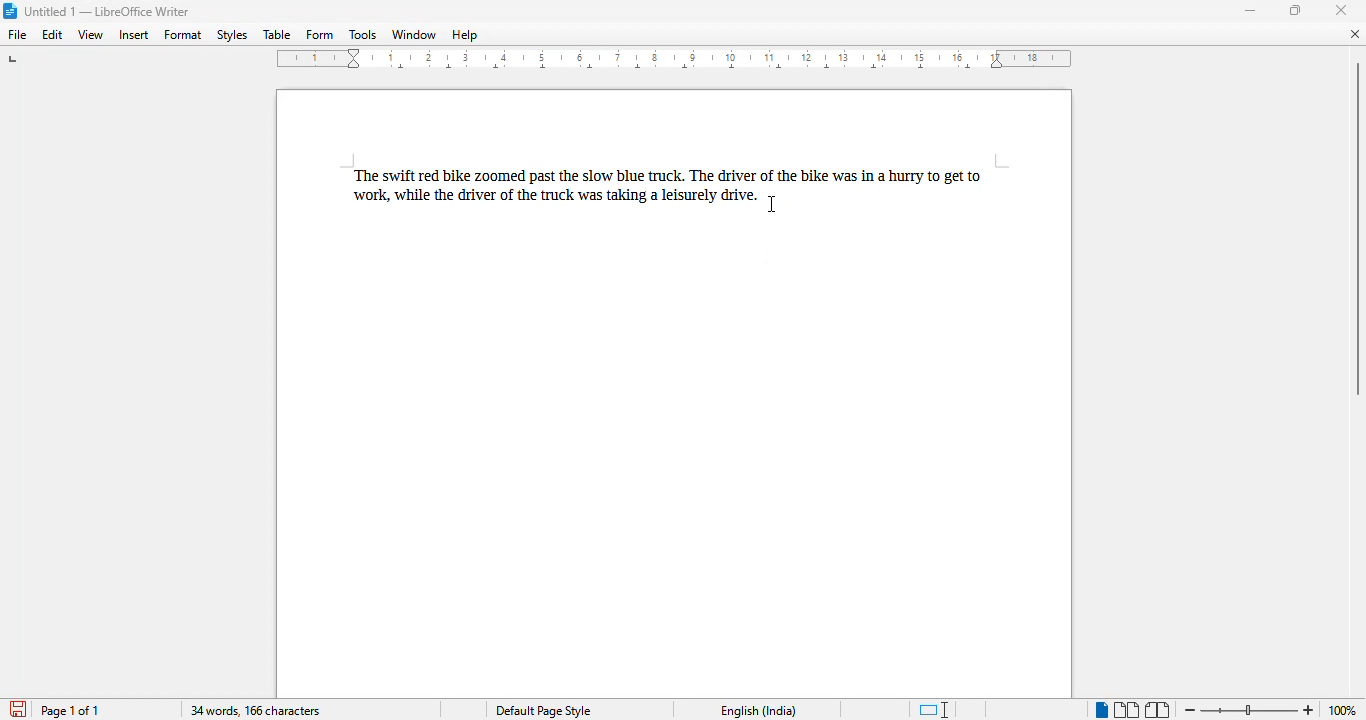  What do you see at coordinates (679, 183) in the screenshot?
I see `The swift red bike zoomed past the slow blue truck. The driver of the bike was in a hurry to get to work, while the driver of the truck was taking a leisurely drive. ` at bounding box center [679, 183].